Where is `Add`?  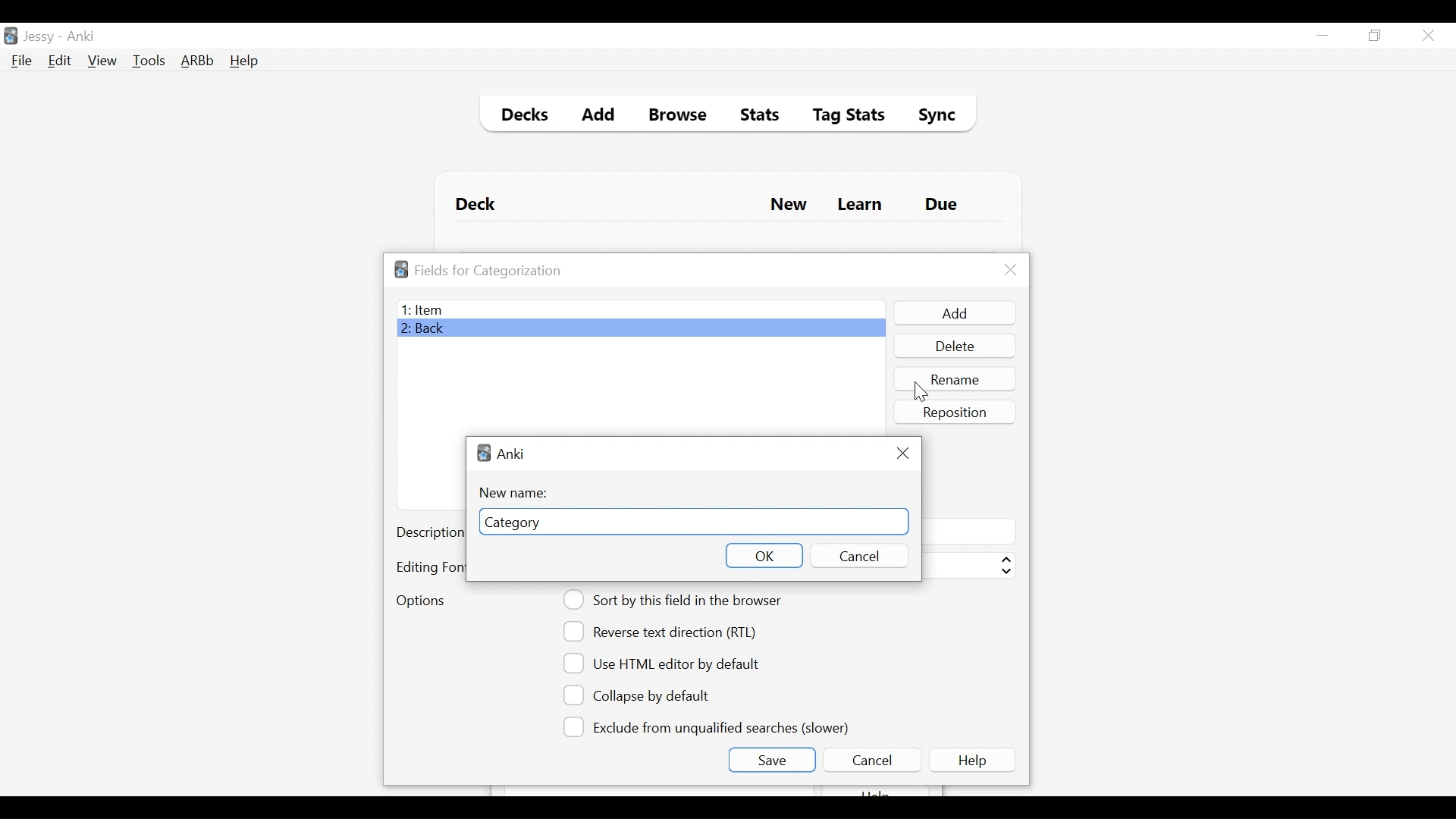
Add is located at coordinates (953, 313).